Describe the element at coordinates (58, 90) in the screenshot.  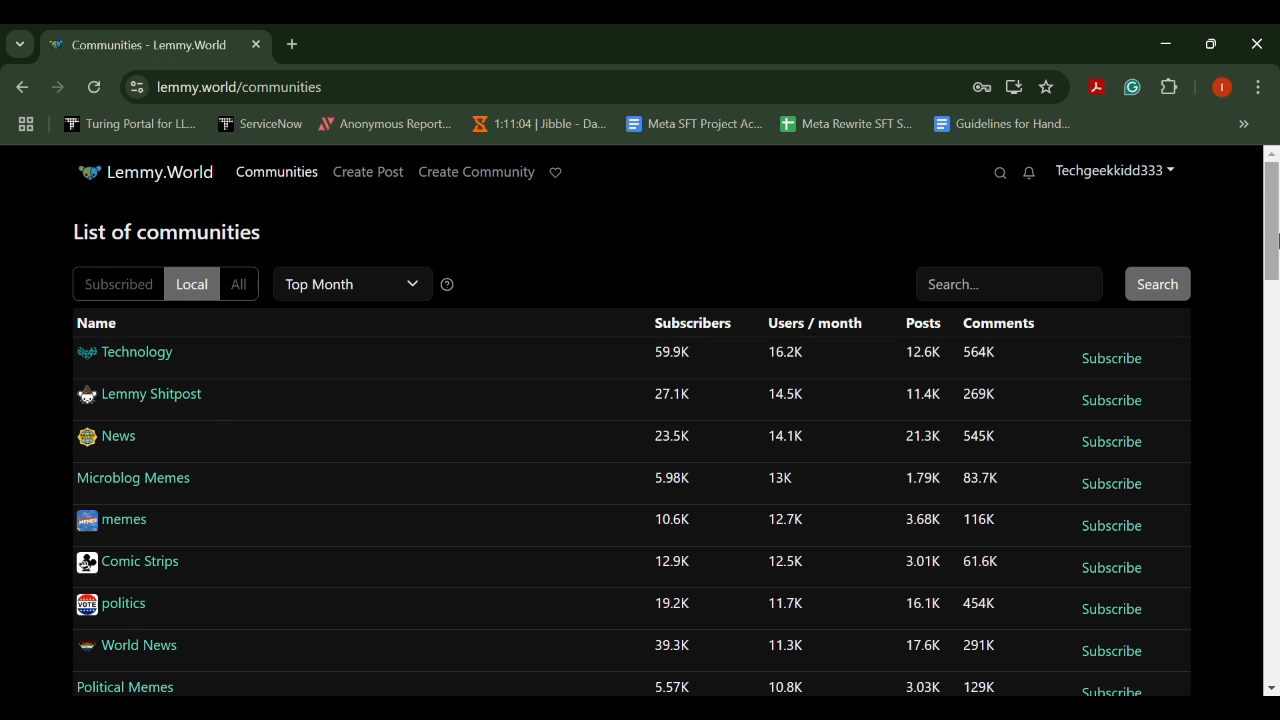
I see `Next Webpage` at that location.